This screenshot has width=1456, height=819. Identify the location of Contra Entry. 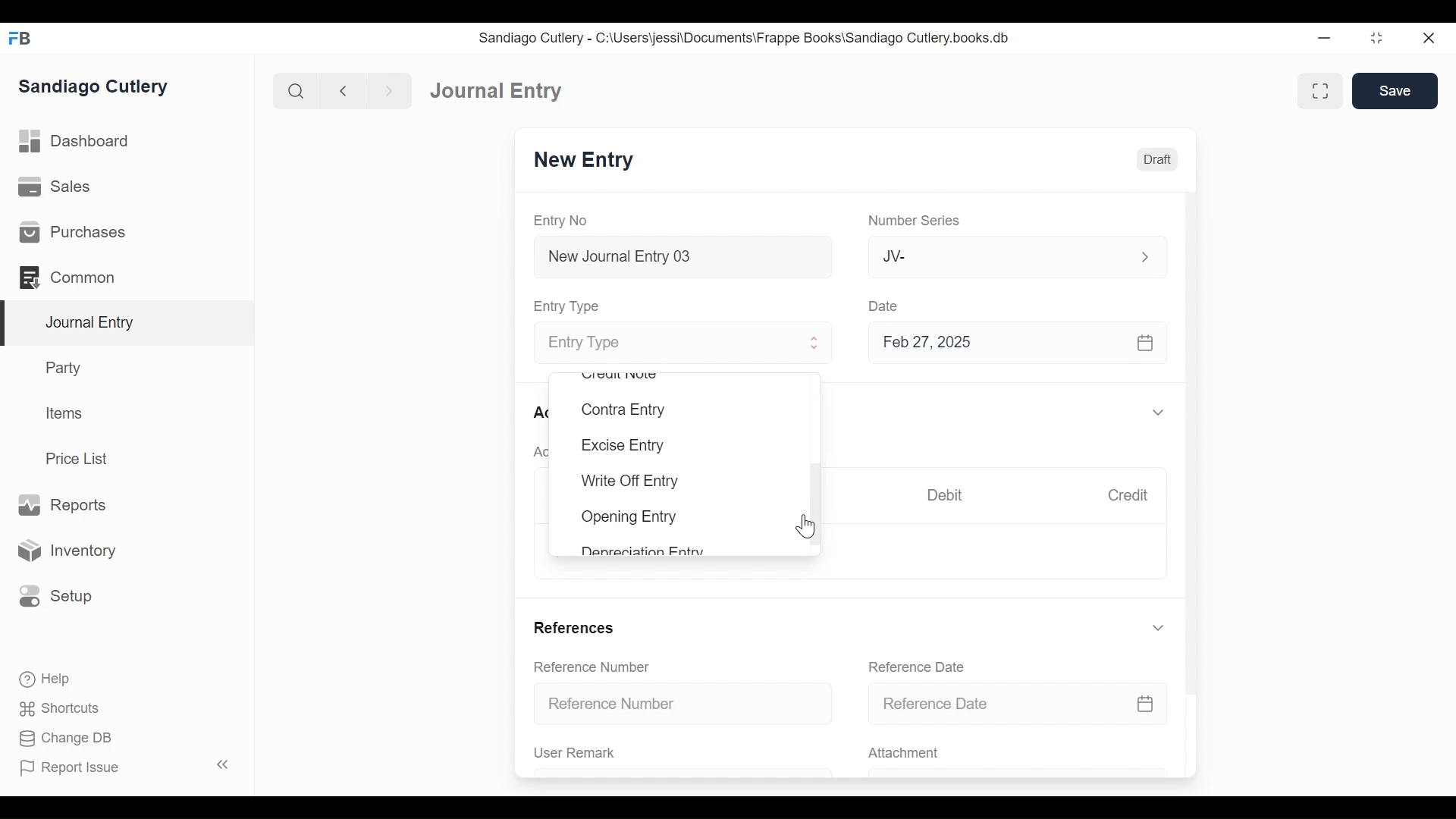
(625, 410).